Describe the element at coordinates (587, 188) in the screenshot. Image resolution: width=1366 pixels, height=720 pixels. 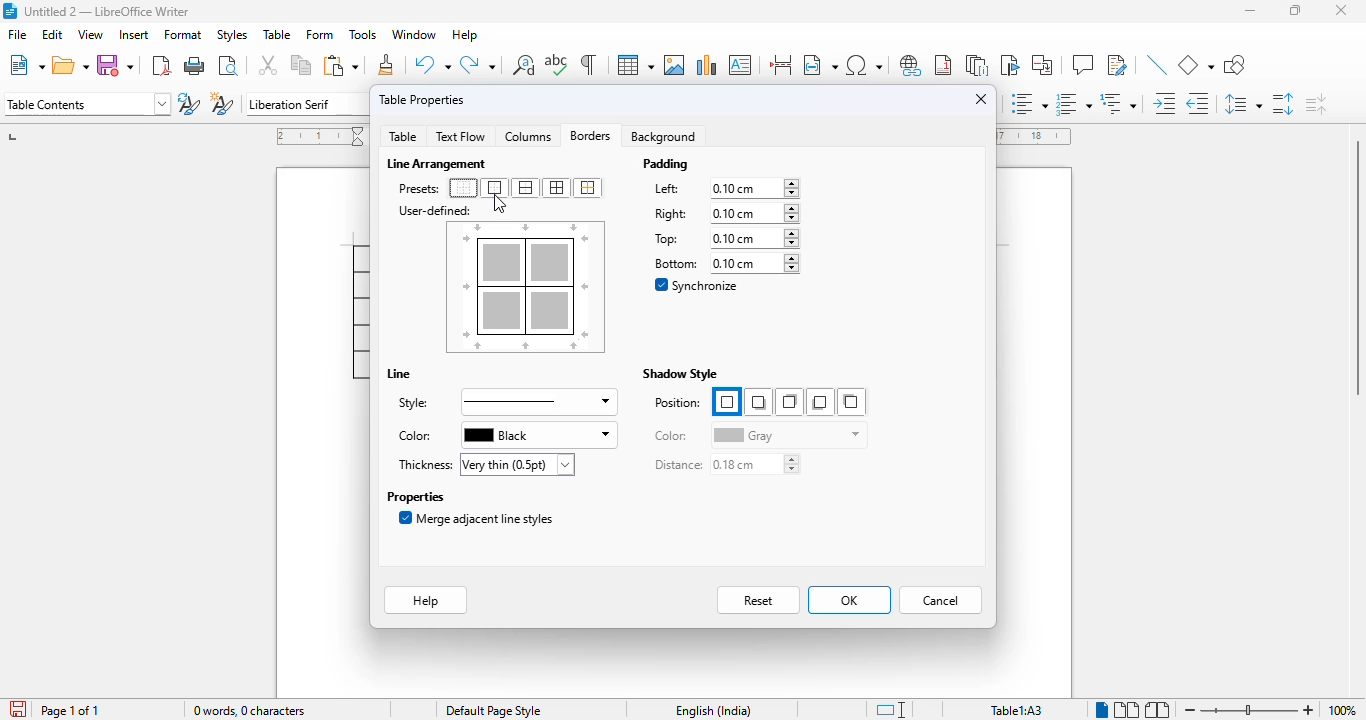
I see `outer border without changing inner lines` at that location.